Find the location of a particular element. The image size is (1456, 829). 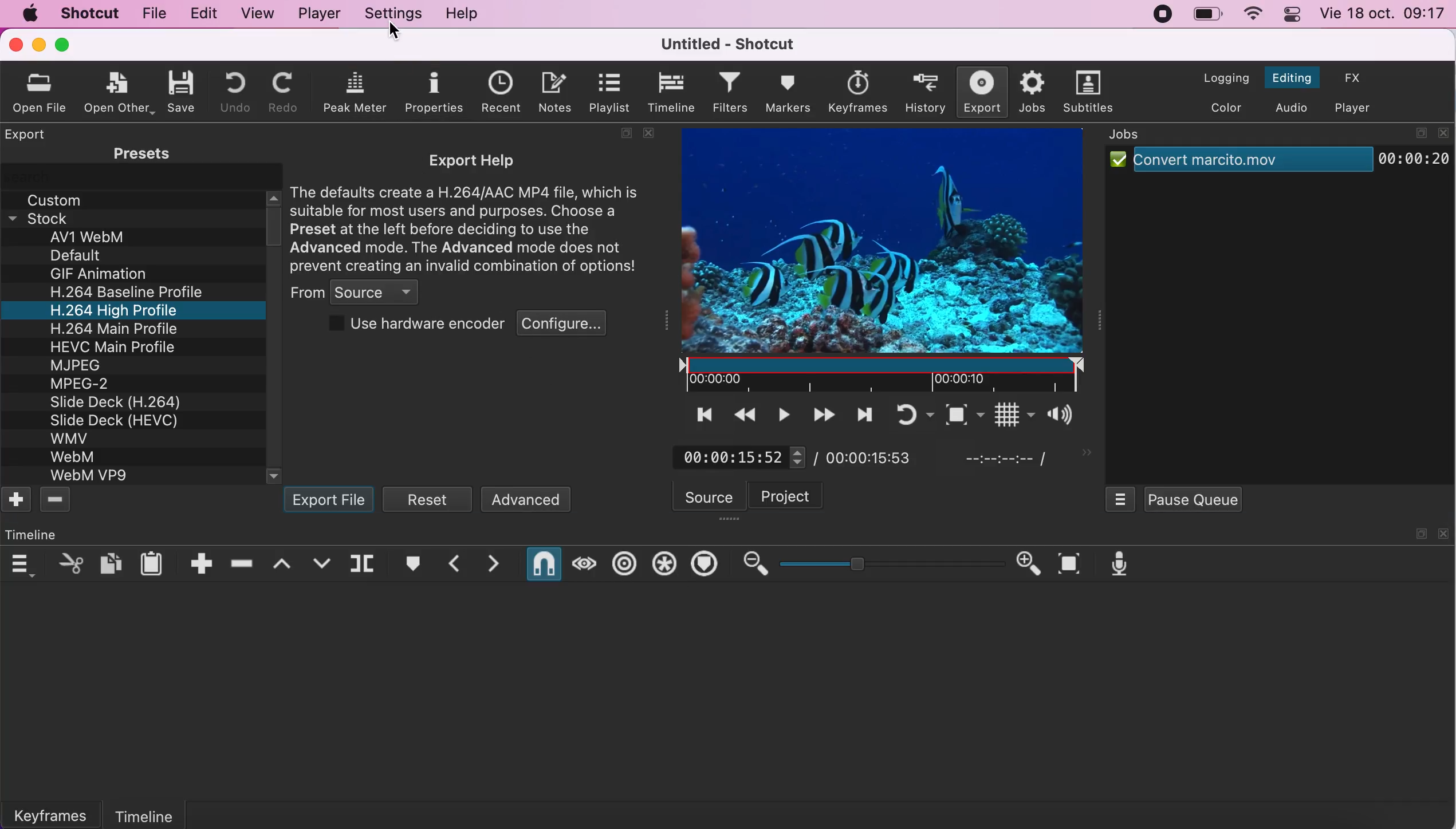

filters is located at coordinates (731, 93).